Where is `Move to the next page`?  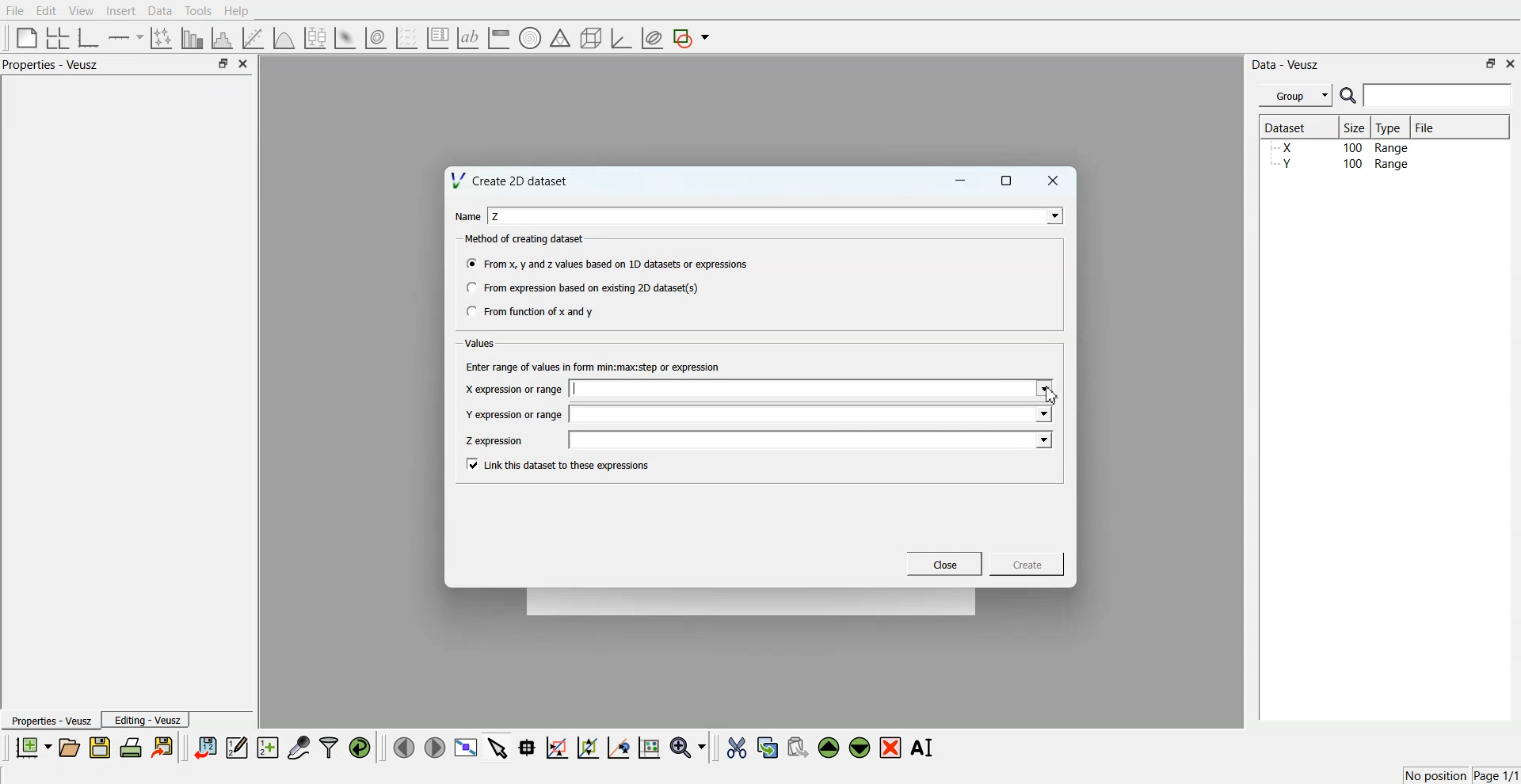
Move to the next page is located at coordinates (435, 746).